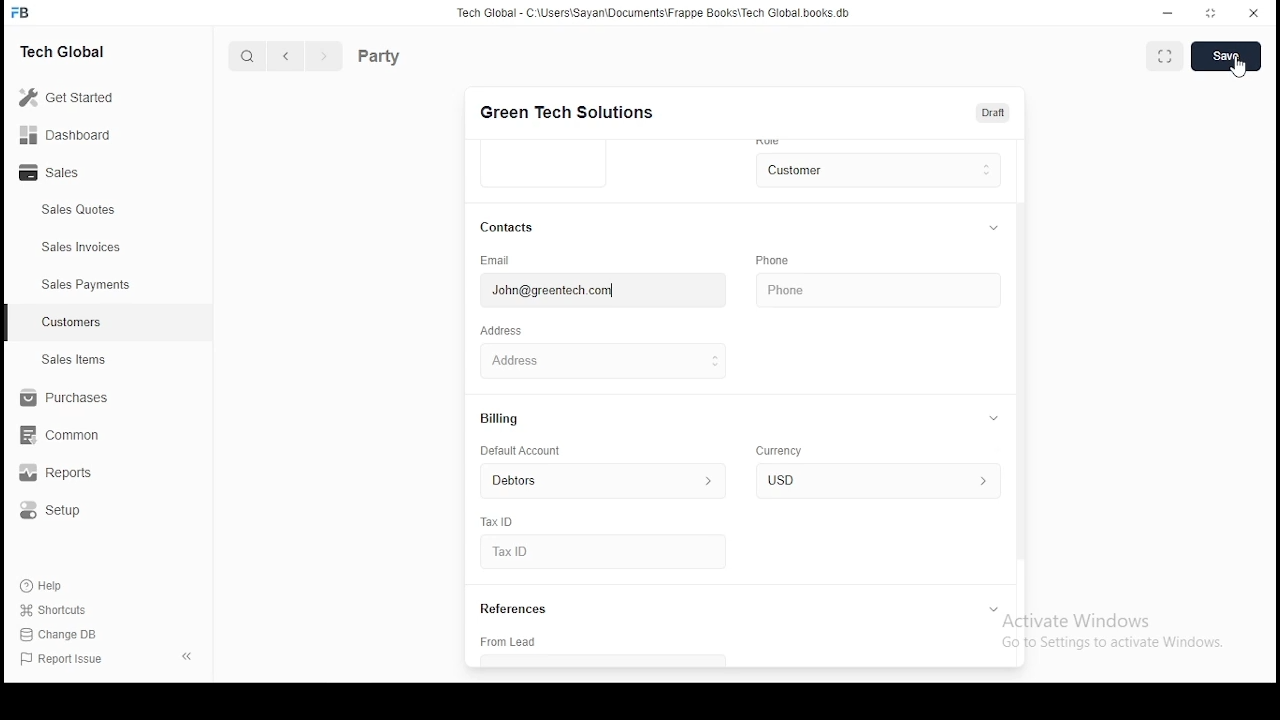 This screenshot has width=1280, height=720. What do you see at coordinates (1251, 14) in the screenshot?
I see `close window` at bounding box center [1251, 14].